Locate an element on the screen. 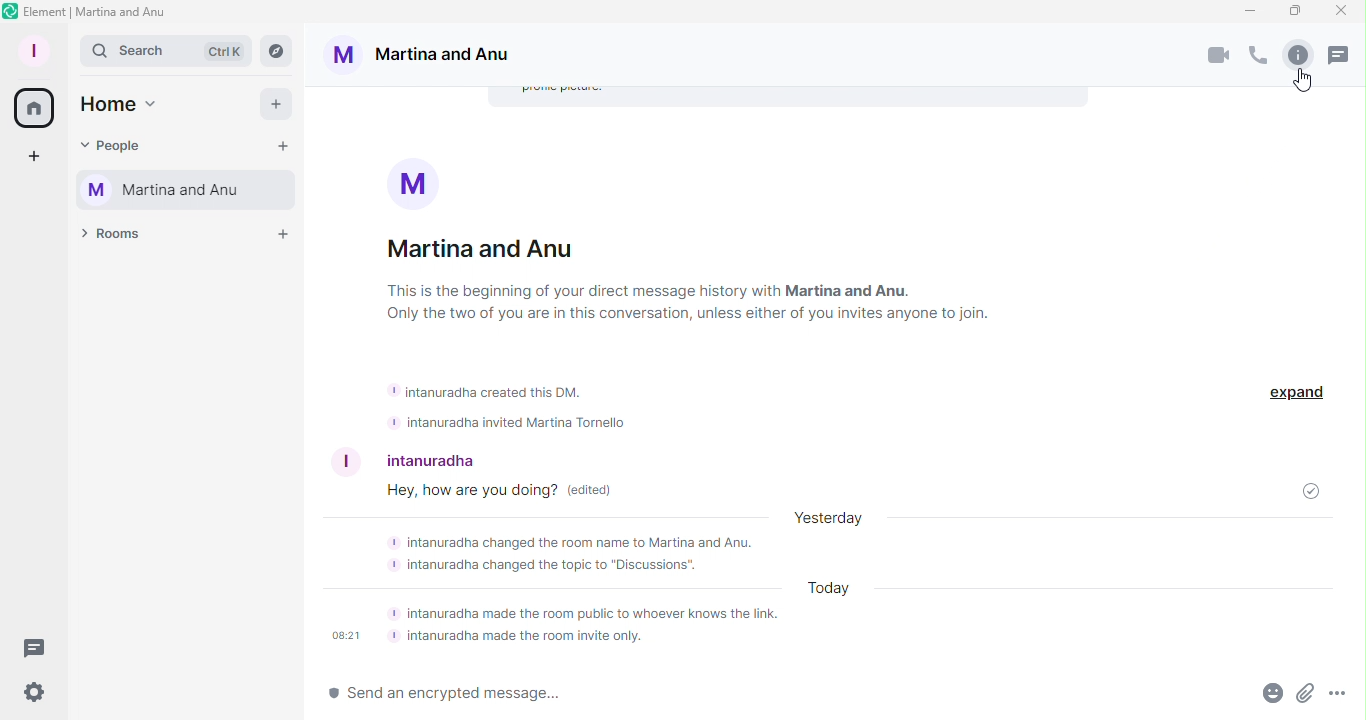 This screenshot has height=720, width=1366. Maximize is located at coordinates (1293, 12).